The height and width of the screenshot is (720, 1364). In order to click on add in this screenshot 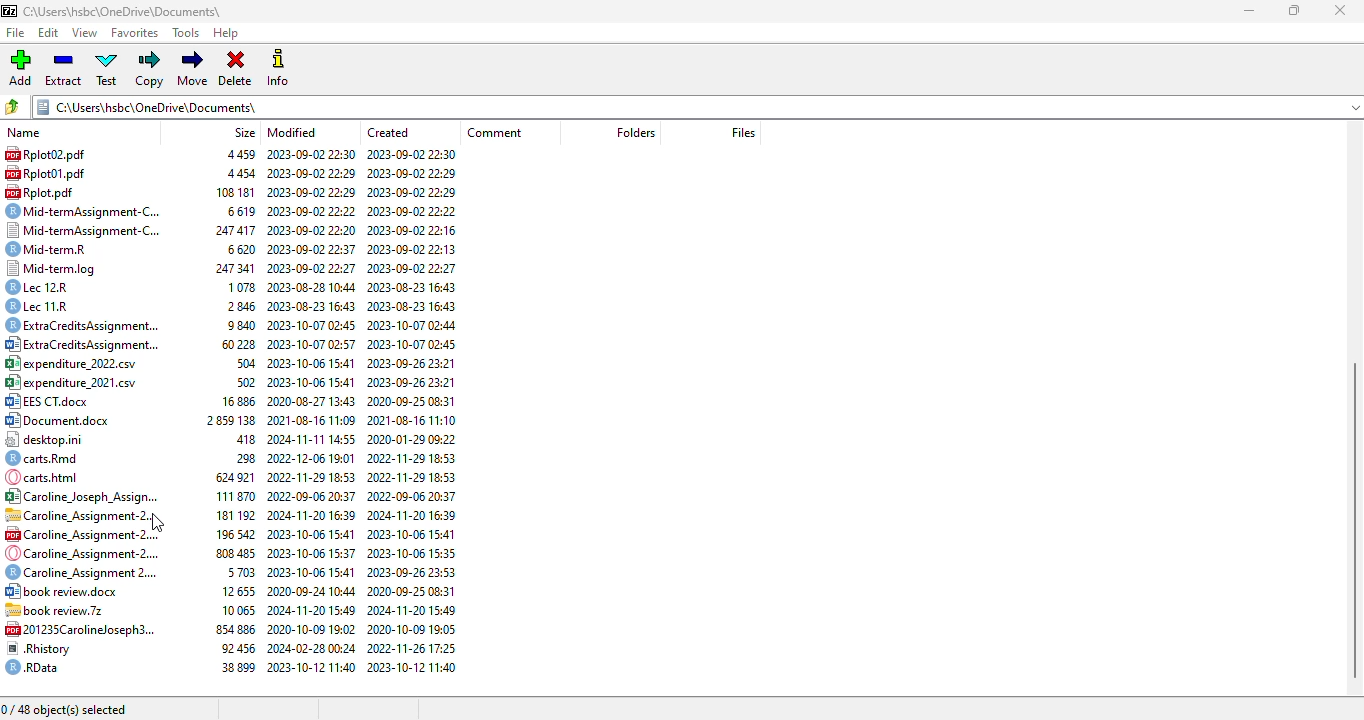, I will do `click(20, 68)`.